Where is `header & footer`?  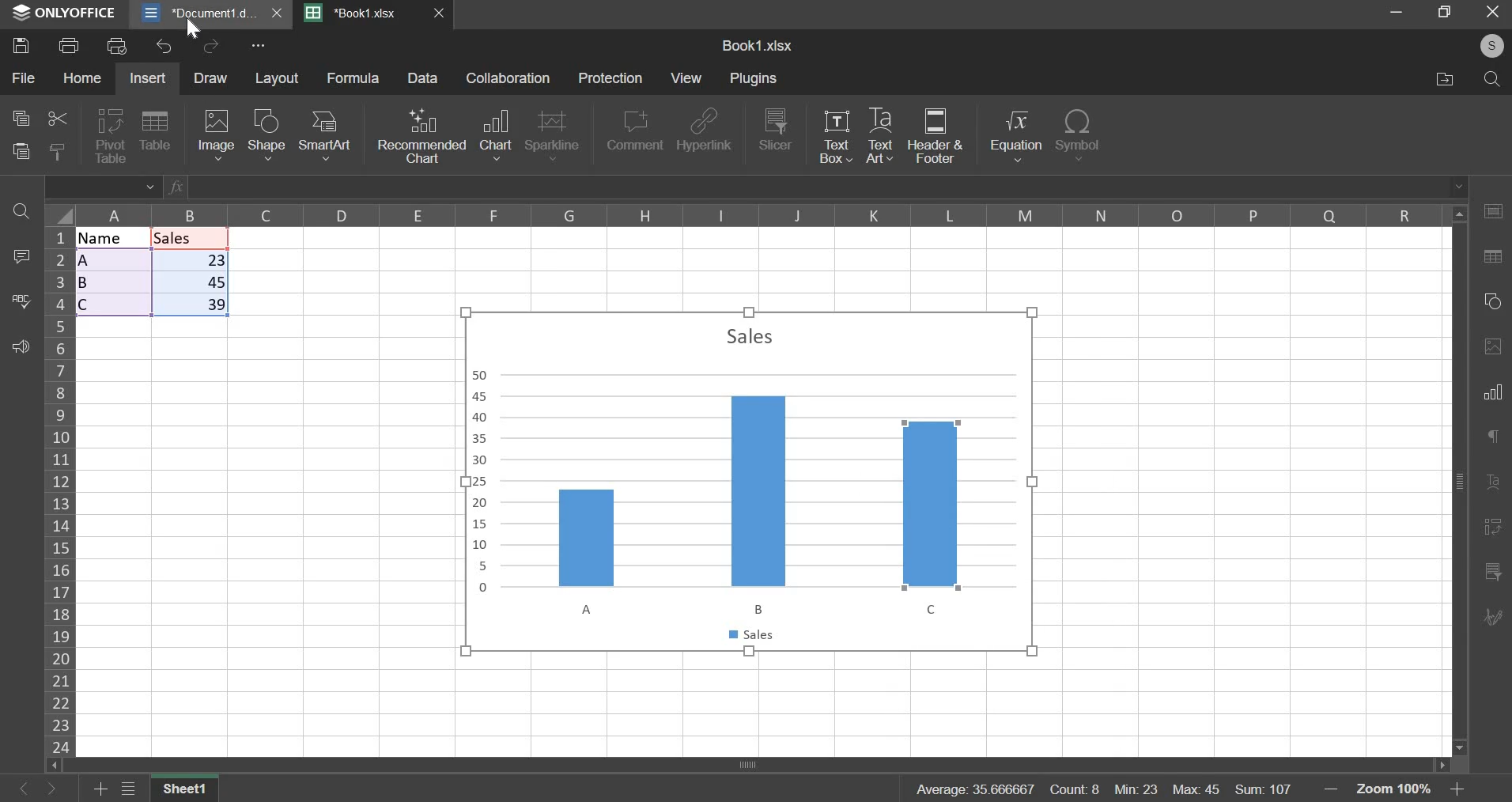
header & footer is located at coordinates (936, 136).